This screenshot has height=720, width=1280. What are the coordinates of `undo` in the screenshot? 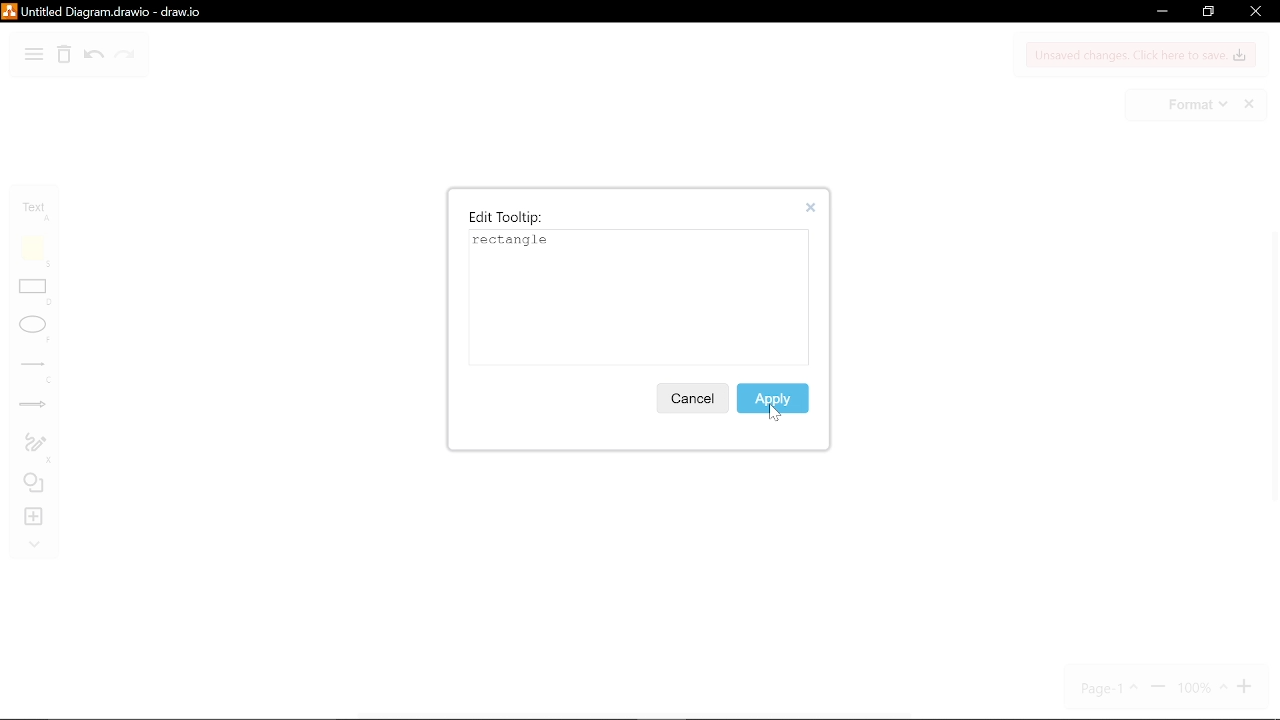 It's located at (94, 57).